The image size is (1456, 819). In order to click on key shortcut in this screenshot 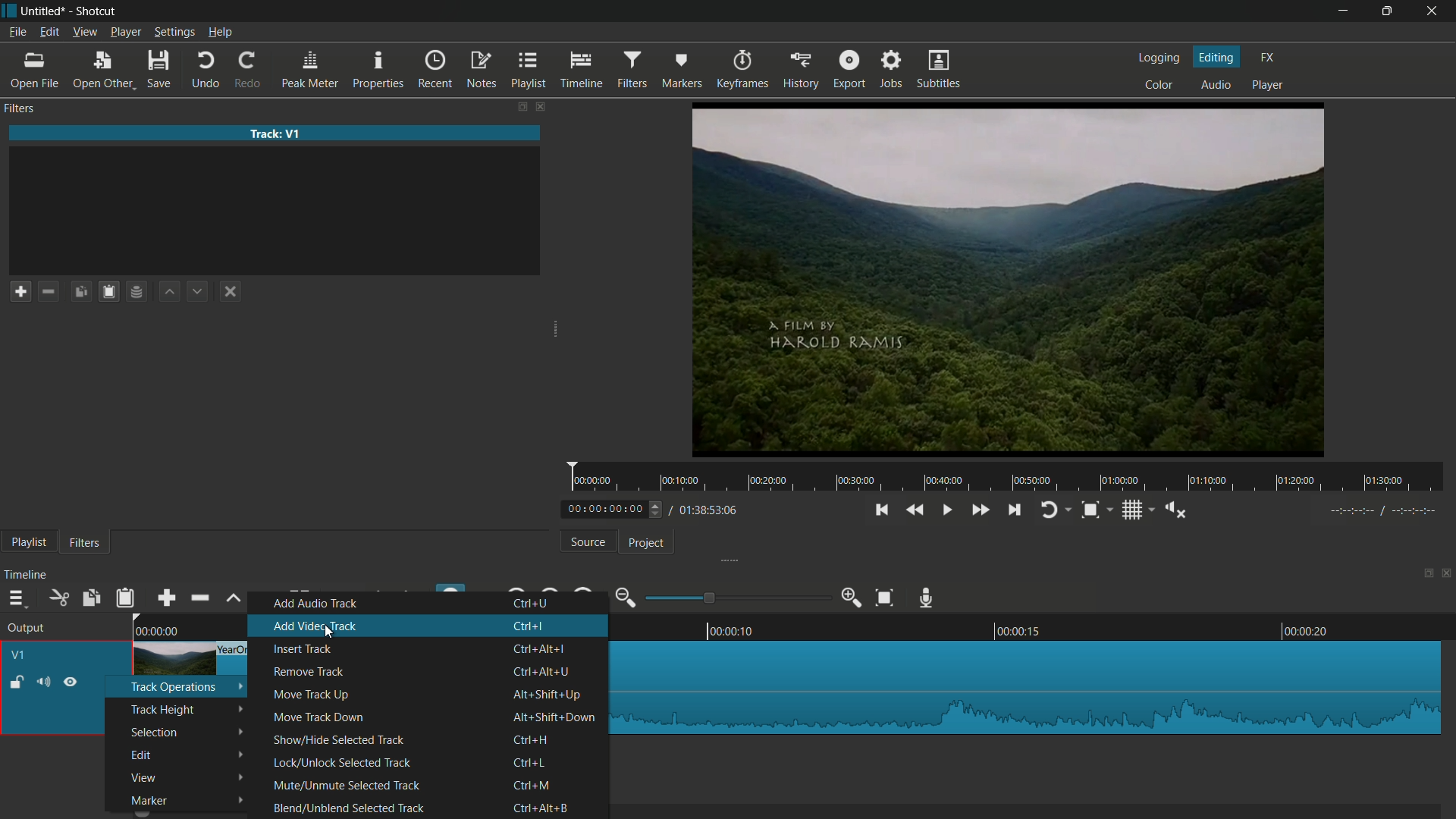, I will do `click(557, 719)`.